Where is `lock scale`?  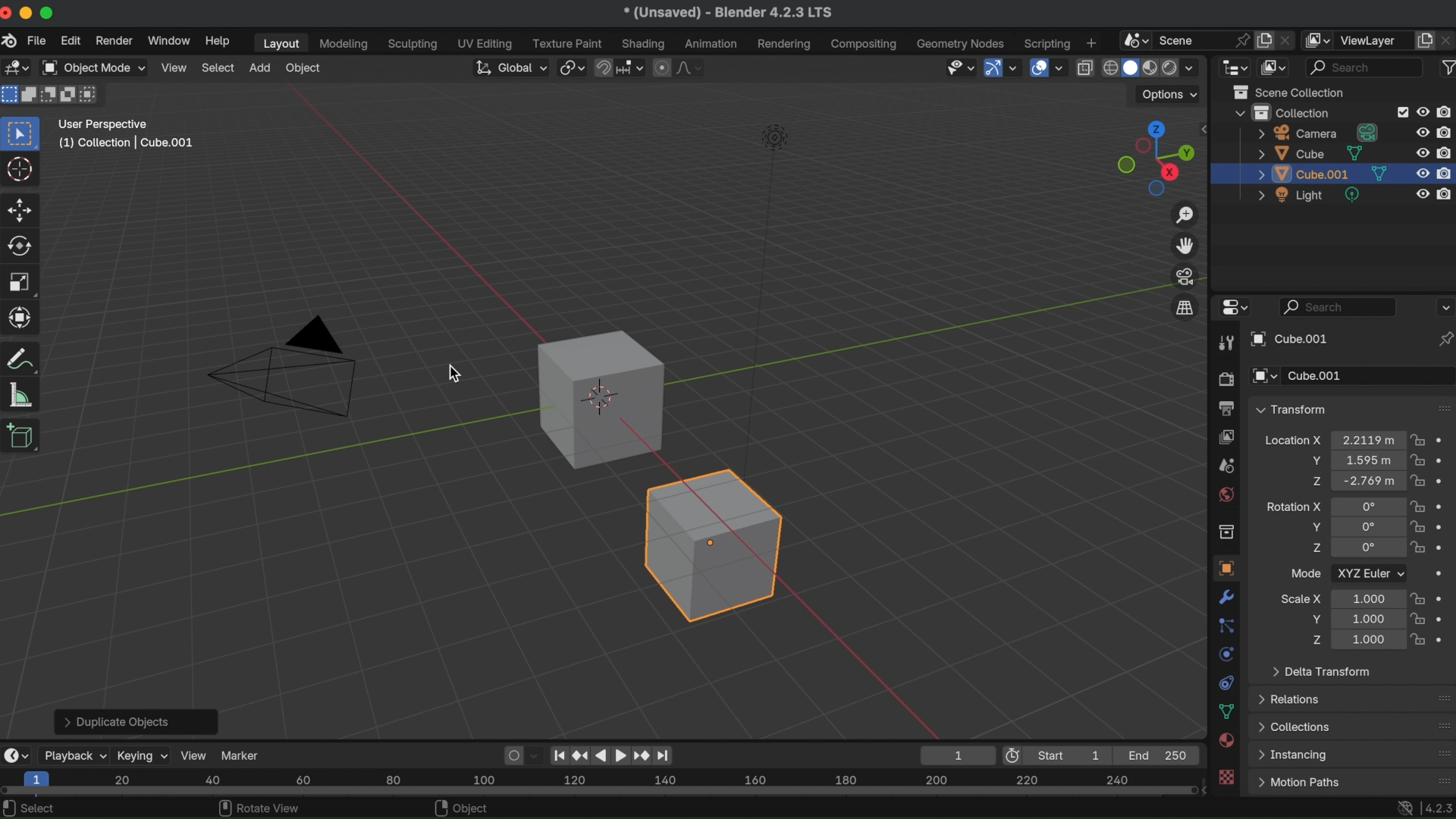
lock scale is located at coordinates (1420, 637).